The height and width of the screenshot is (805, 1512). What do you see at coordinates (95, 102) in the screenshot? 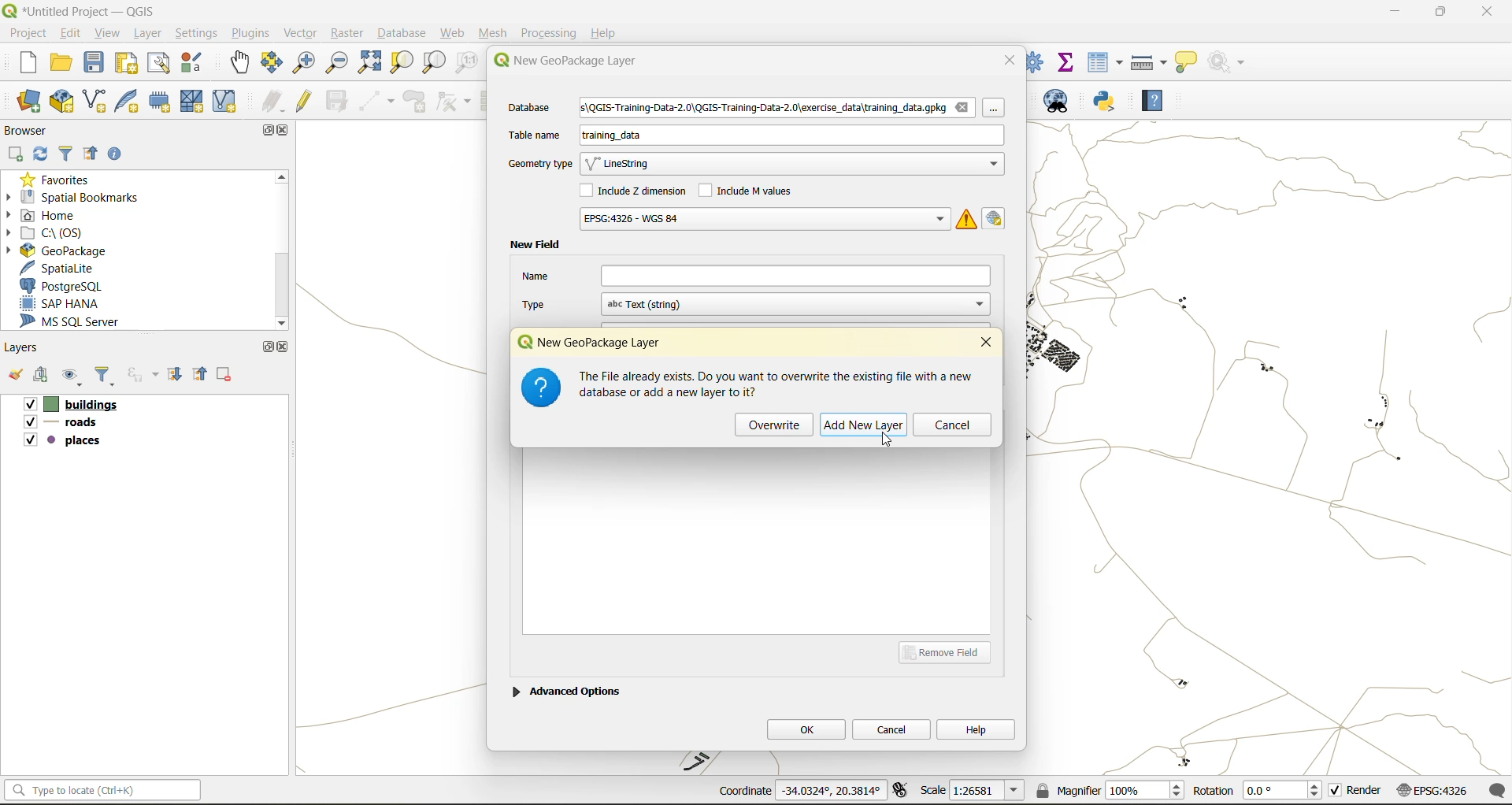
I see `new shapefile layer` at bounding box center [95, 102].